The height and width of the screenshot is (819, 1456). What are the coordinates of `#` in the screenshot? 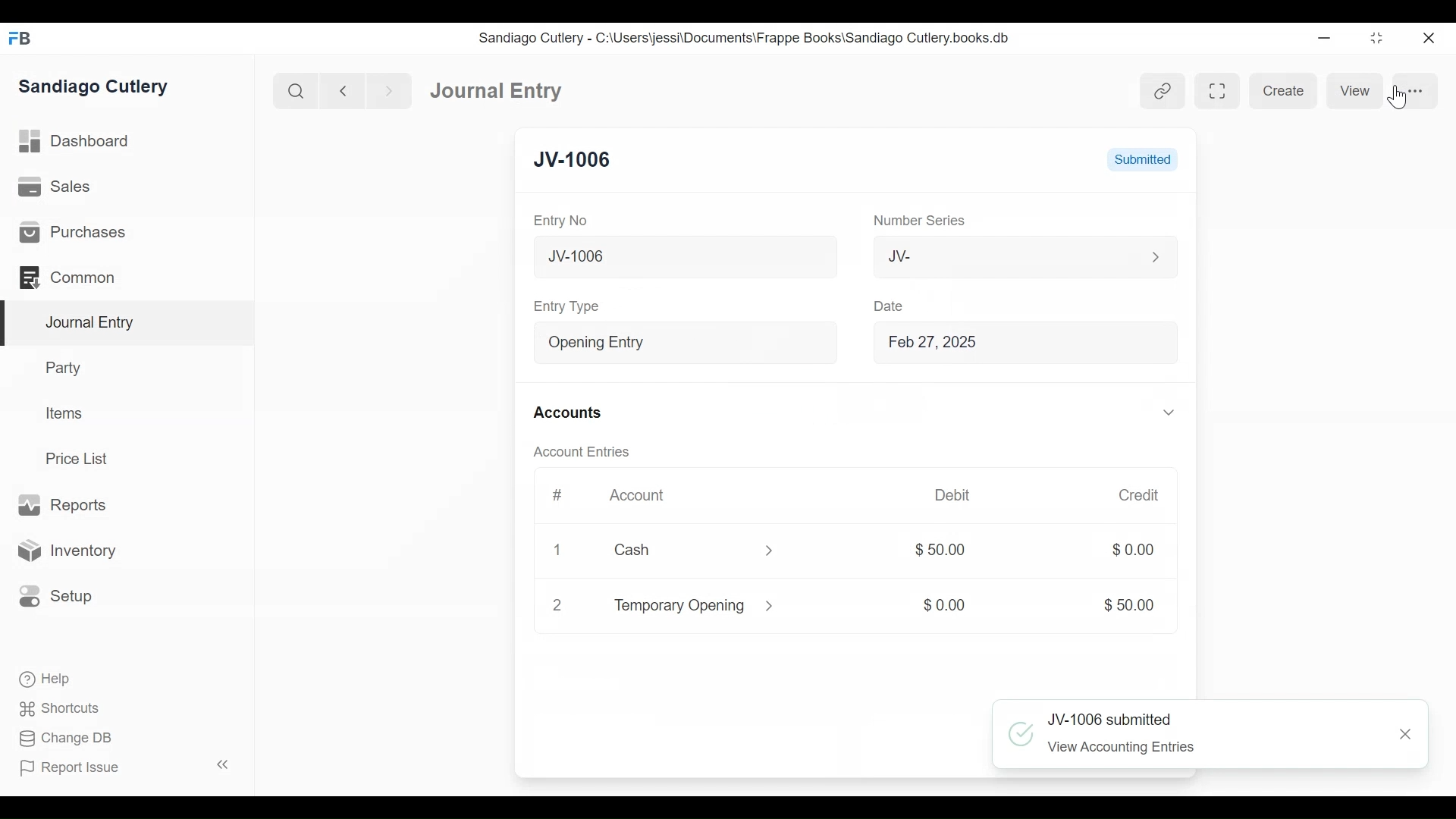 It's located at (558, 494).